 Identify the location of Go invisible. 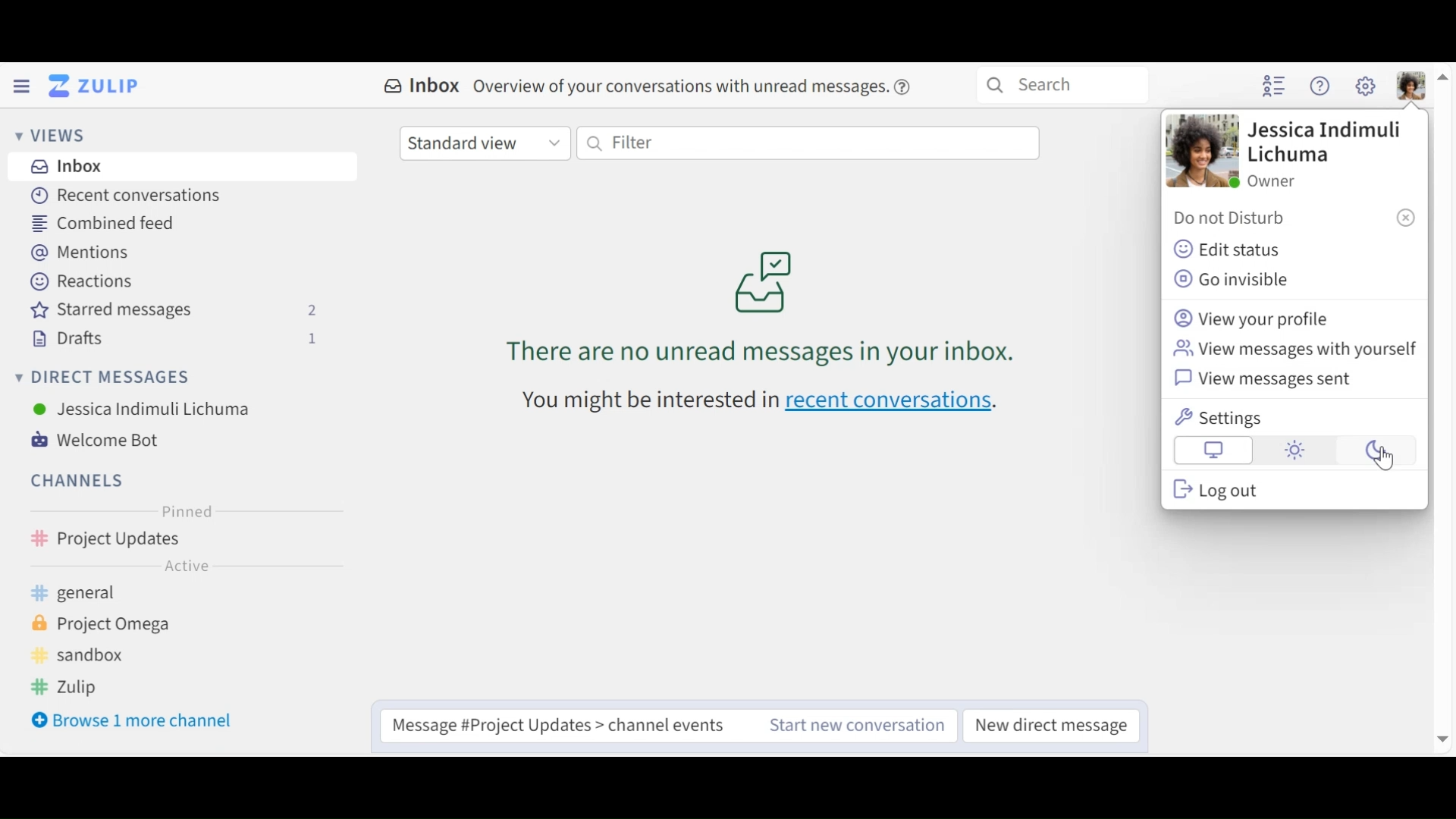
(1239, 280).